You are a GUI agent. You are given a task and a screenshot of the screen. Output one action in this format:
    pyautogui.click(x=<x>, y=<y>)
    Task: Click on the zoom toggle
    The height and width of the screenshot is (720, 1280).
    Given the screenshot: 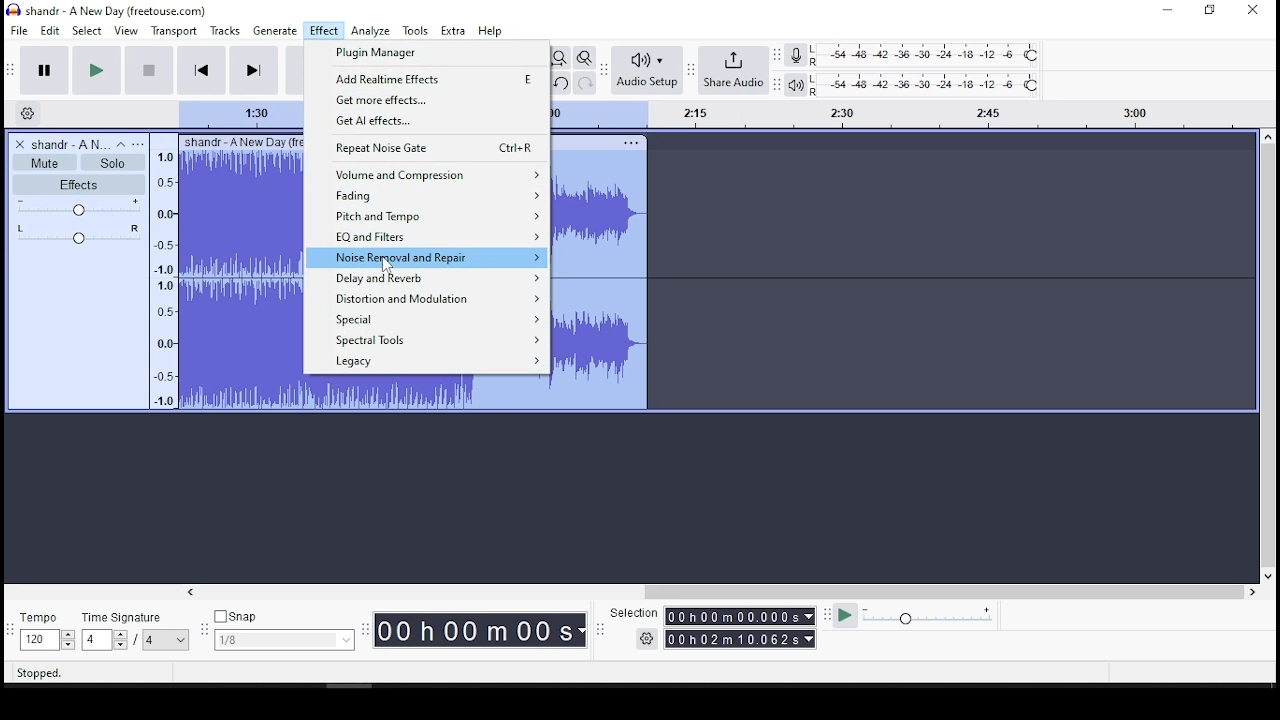 What is the action you would take?
    pyautogui.click(x=585, y=57)
    